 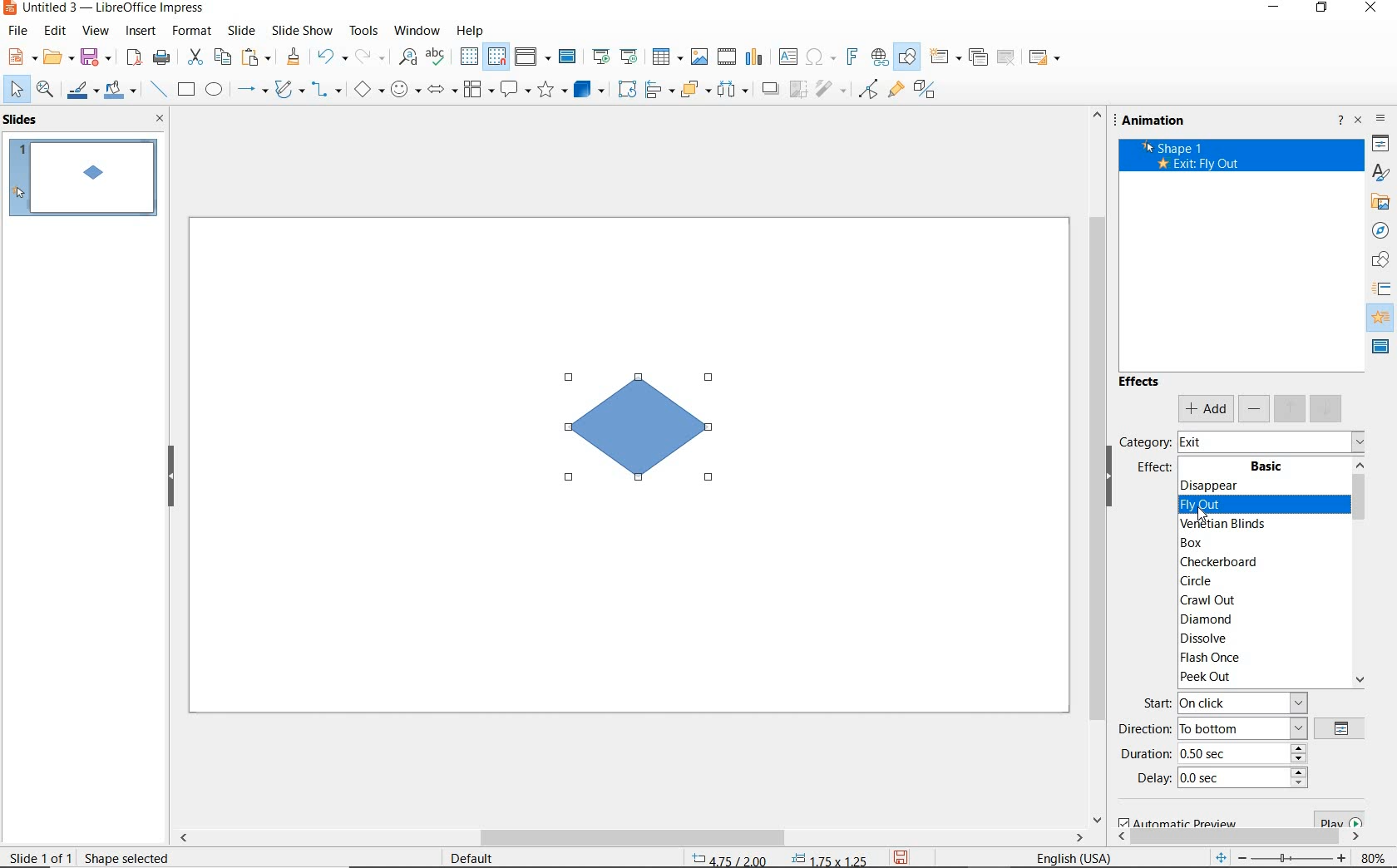 I want to click on insert line, so click(x=159, y=88).